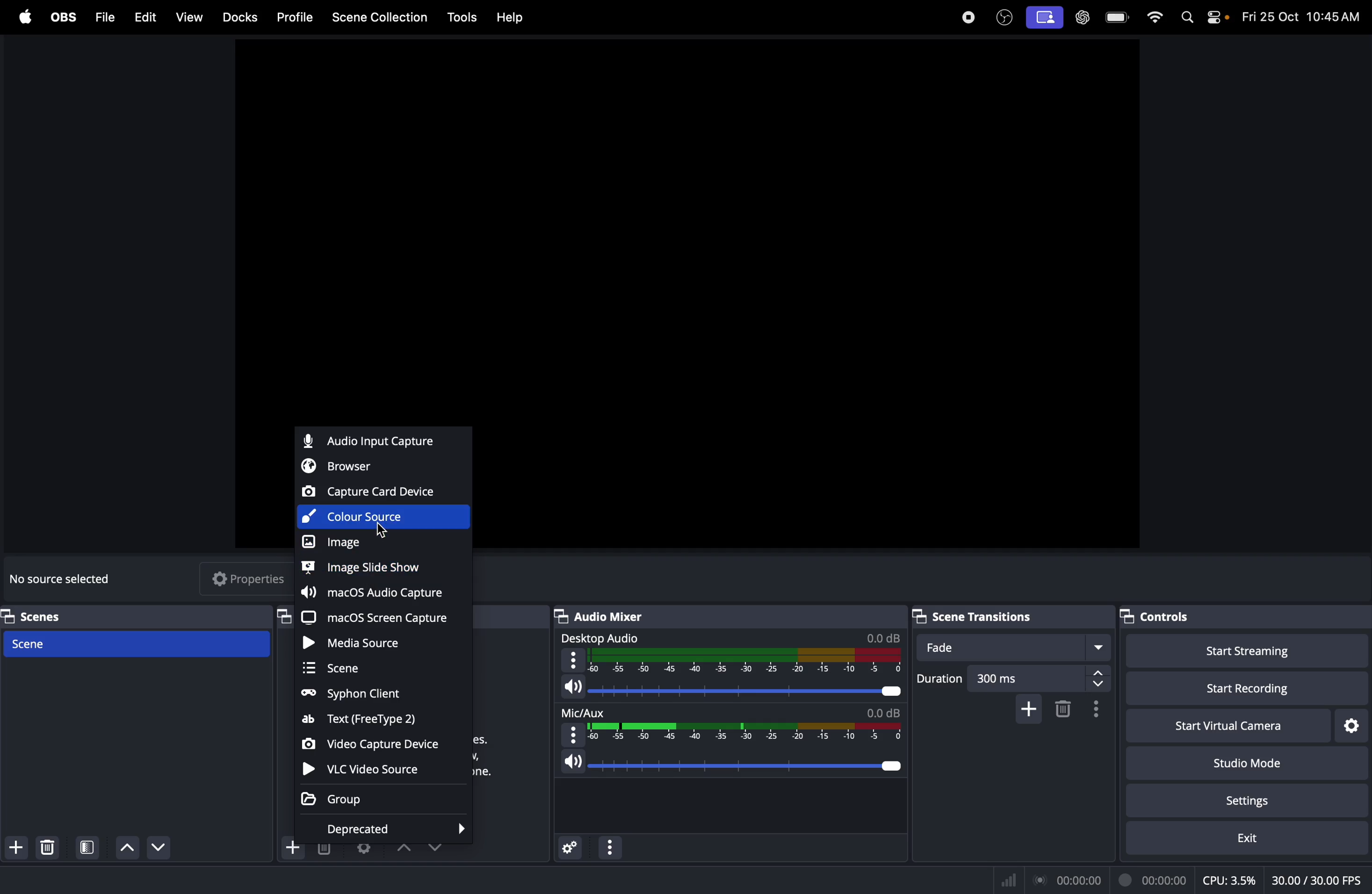  I want to click on Syphon client, so click(356, 693).